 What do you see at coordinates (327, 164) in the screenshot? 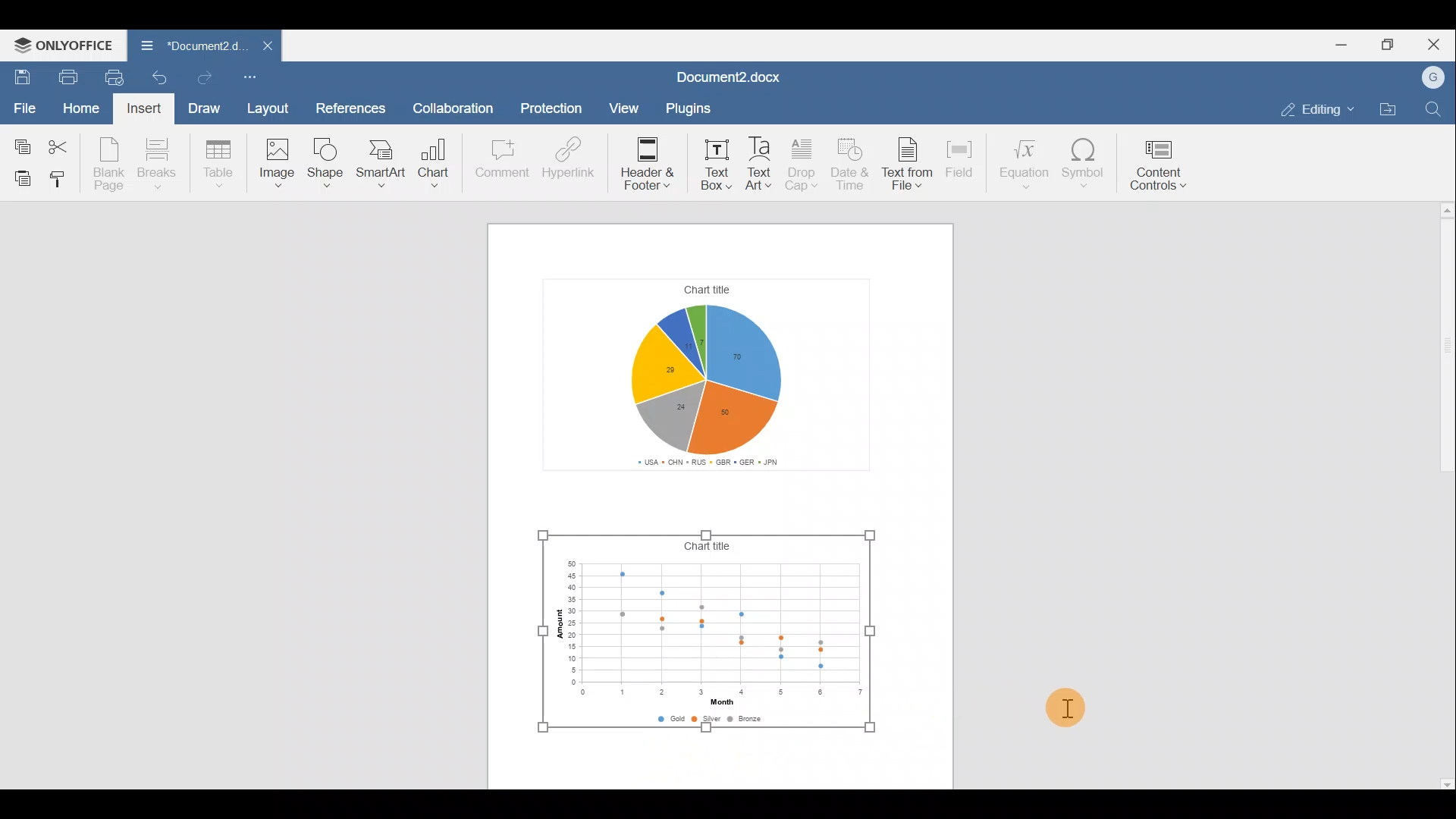
I see `Shape` at bounding box center [327, 164].